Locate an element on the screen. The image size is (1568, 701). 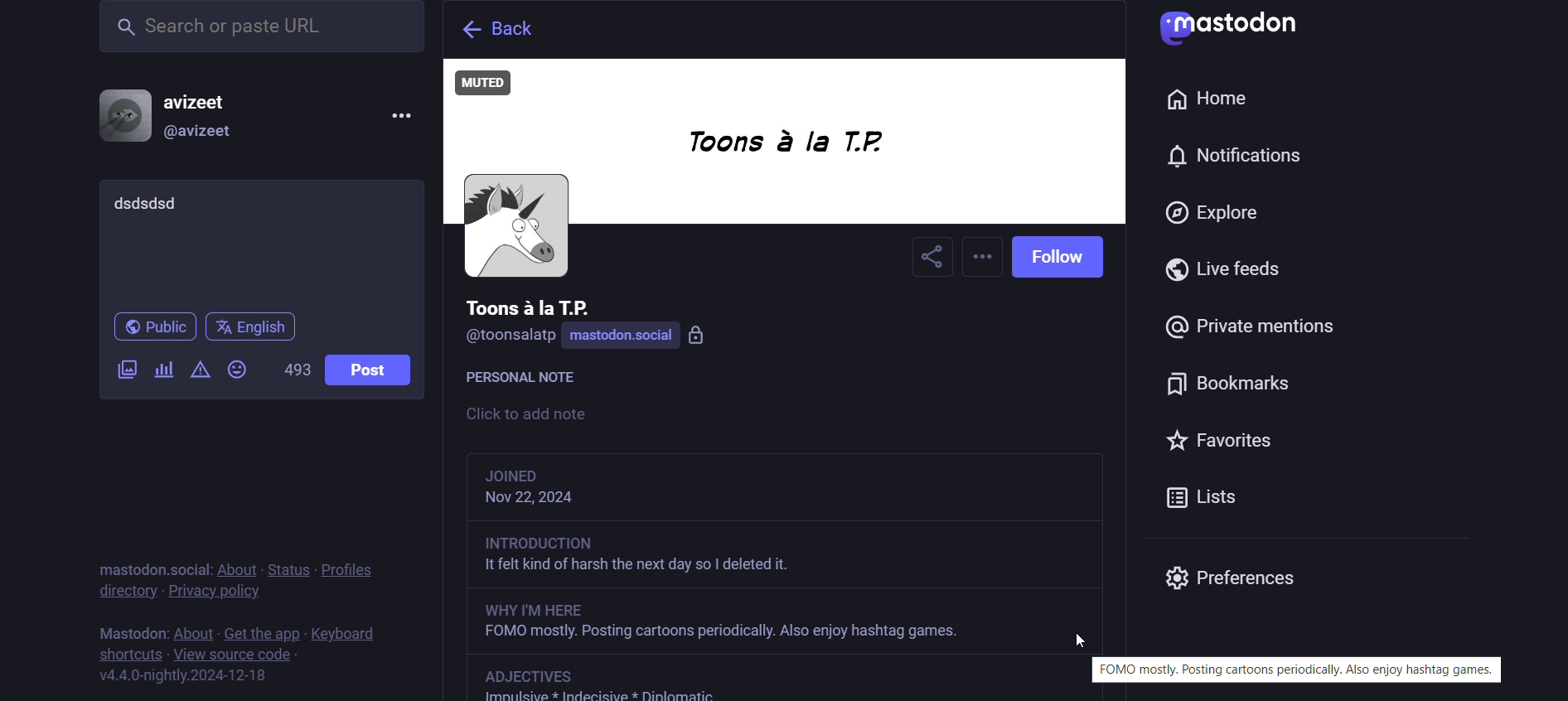
home is located at coordinates (1204, 98).